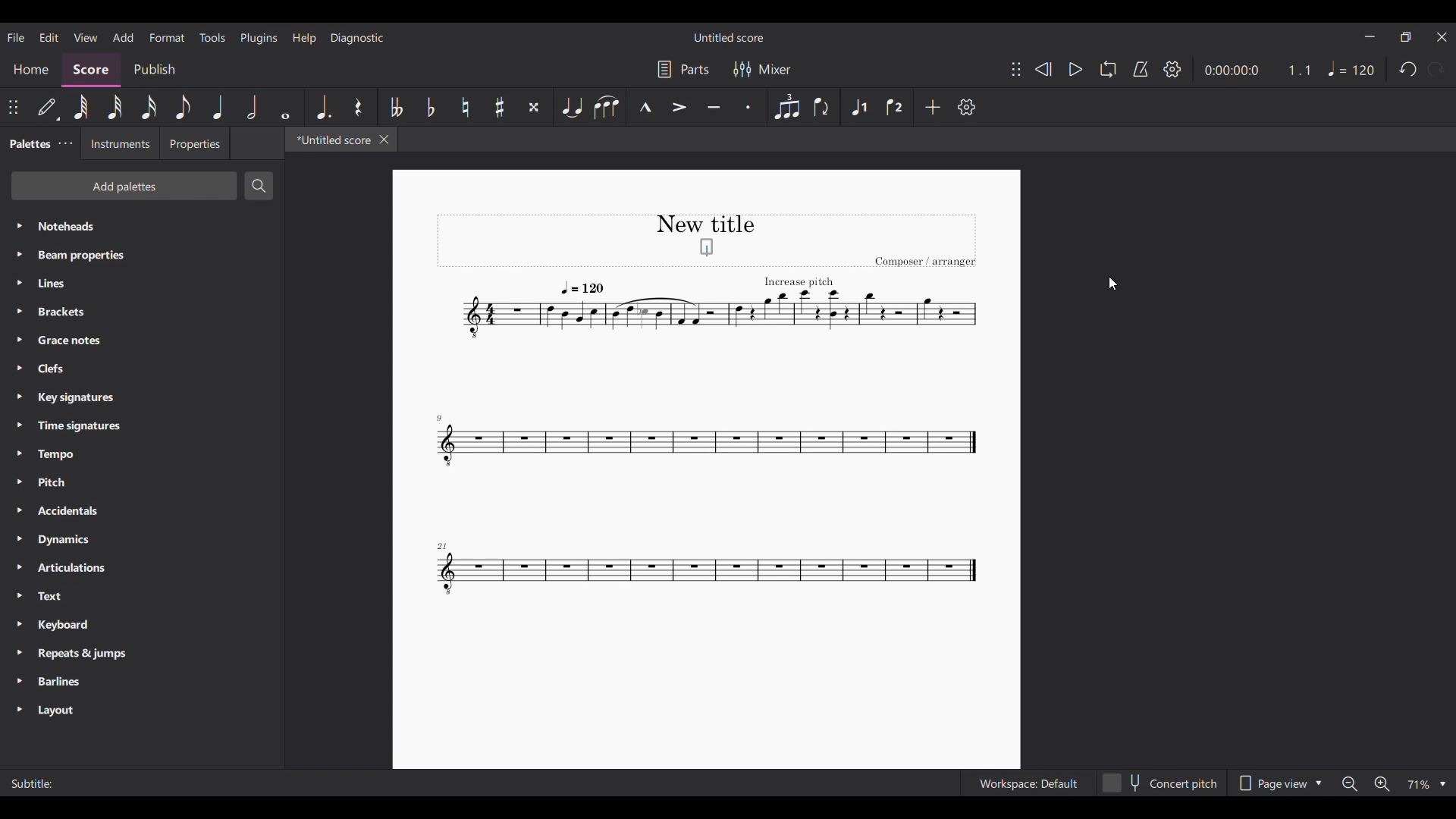 Image resolution: width=1456 pixels, height=819 pixels. Describe the element at coordinates (1108, 69) in the screenshot. I see `Loop playback` at that location.